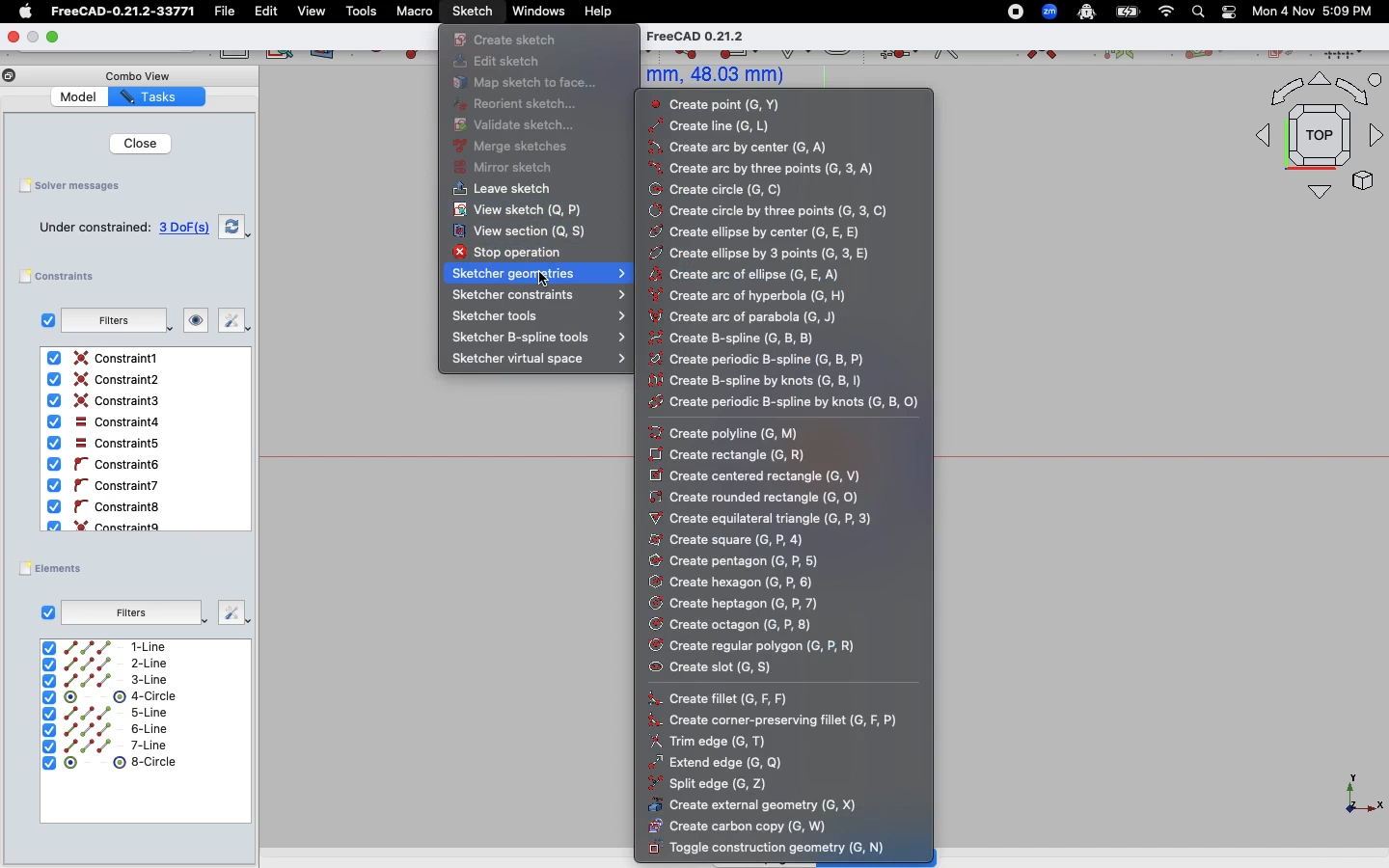 This screenshot has width=1389, height=868. I want to click on Create line(G, L), so click(720, 125).